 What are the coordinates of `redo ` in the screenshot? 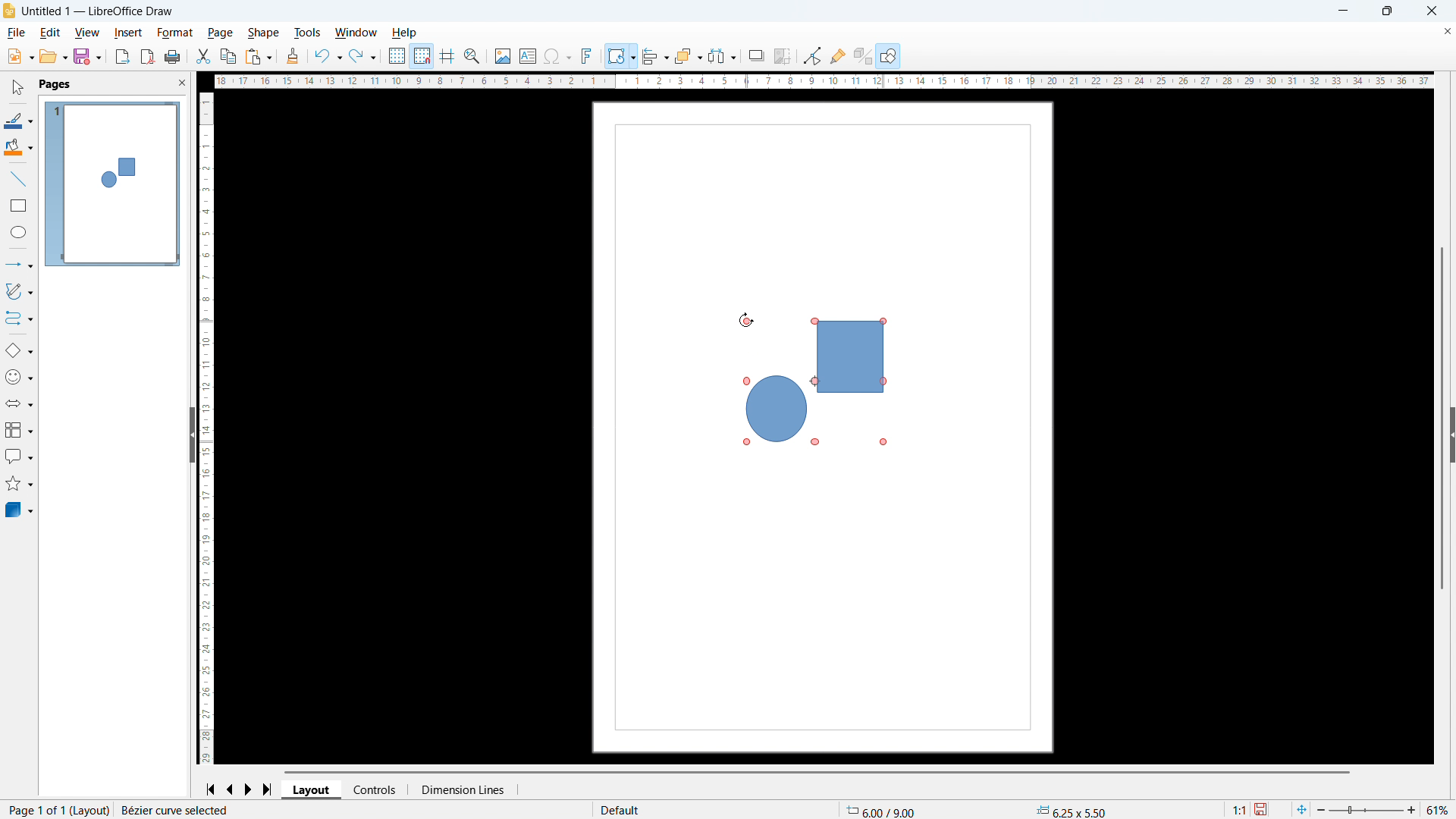 It's located at (363, 56).